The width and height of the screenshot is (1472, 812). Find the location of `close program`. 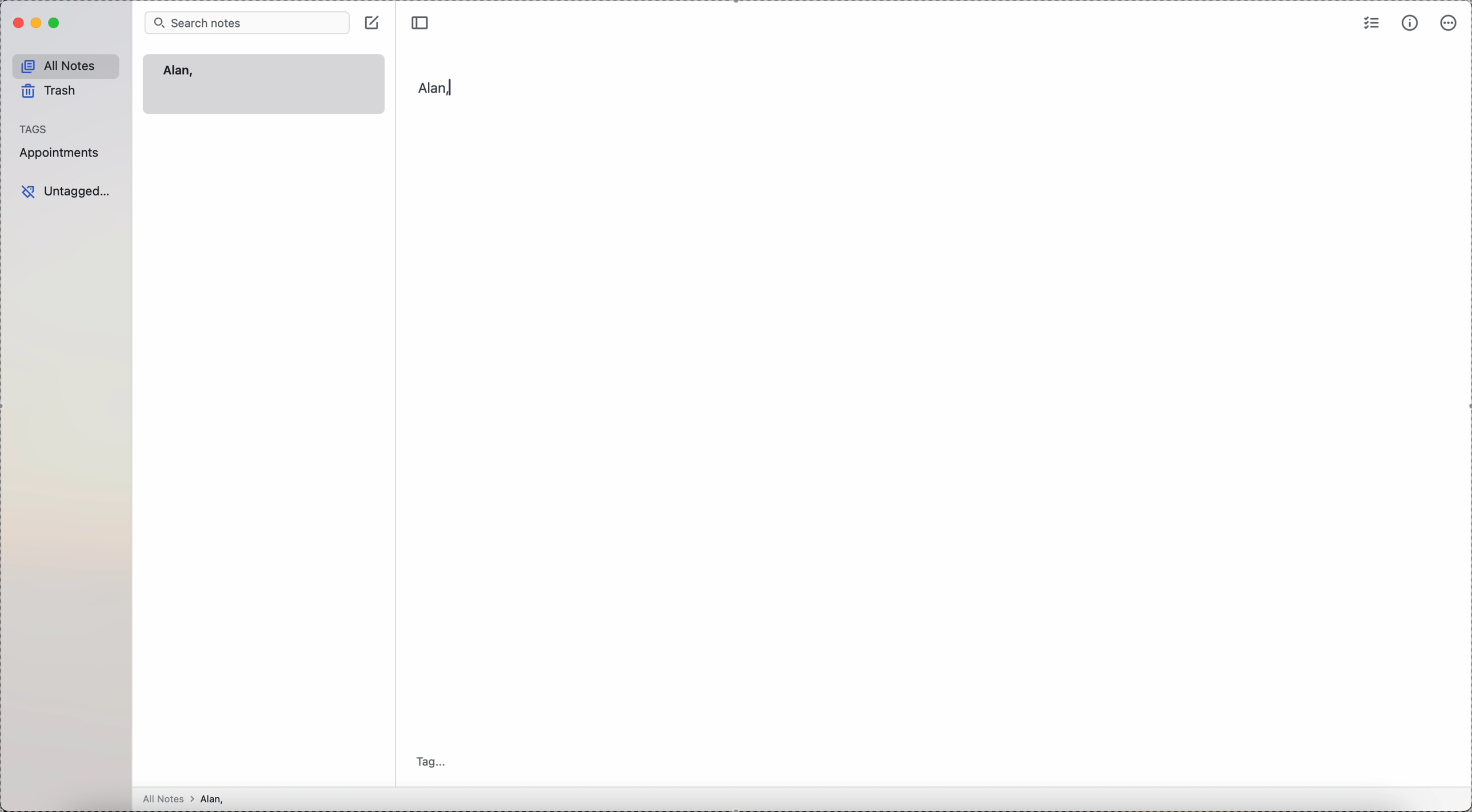

close program is located at coordinates (17, 23).